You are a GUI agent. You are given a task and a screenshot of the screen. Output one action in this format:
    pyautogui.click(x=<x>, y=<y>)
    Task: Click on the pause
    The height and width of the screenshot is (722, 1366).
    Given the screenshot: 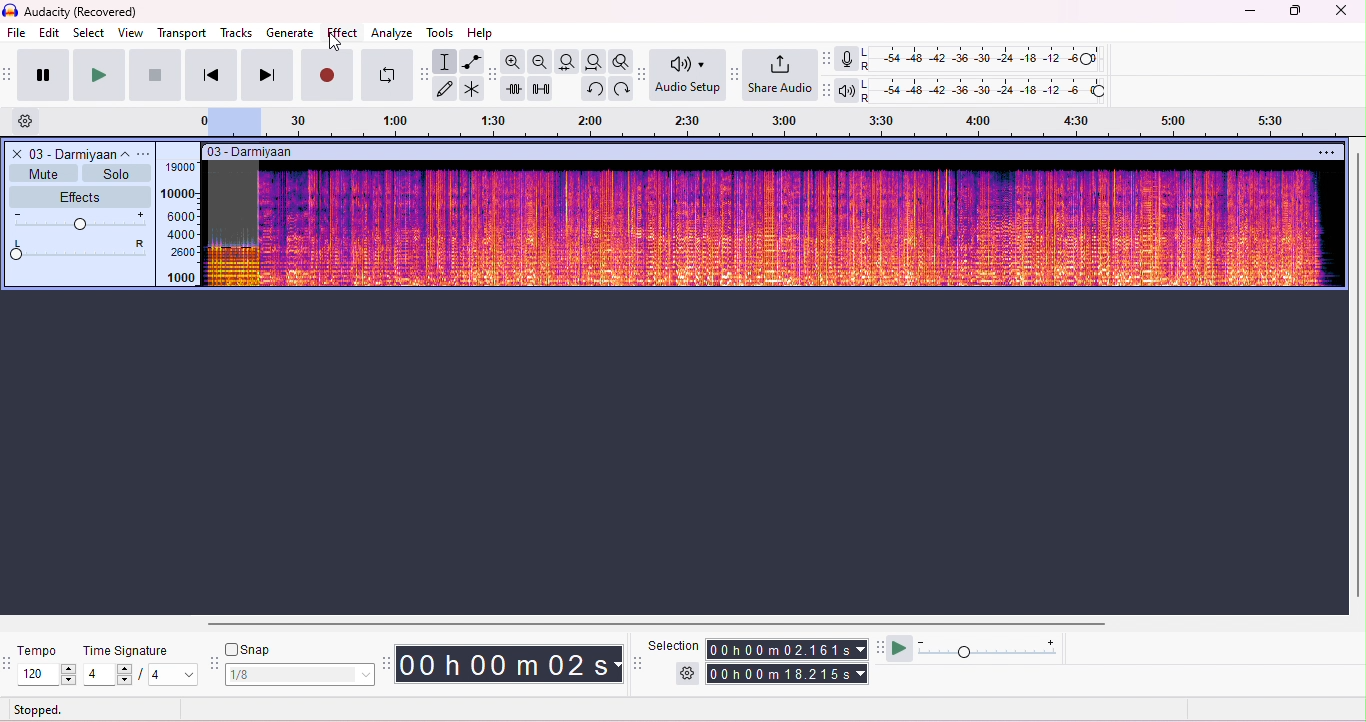 What is the action you would take?
    pyautogui.click(x=45, y=74)
    